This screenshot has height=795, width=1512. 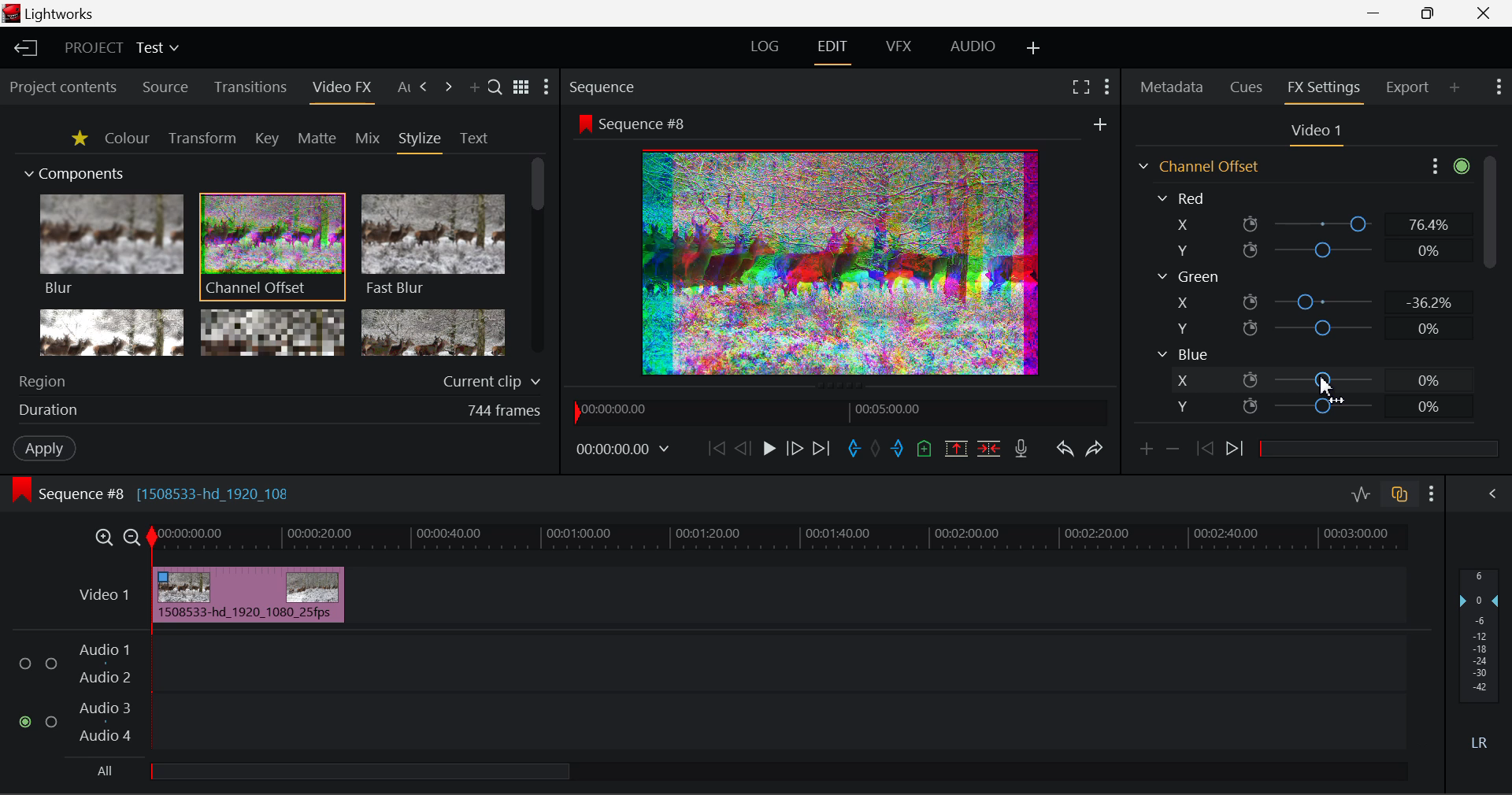 I want to click on Stylize Tab Open, so click(x=419, y=142).